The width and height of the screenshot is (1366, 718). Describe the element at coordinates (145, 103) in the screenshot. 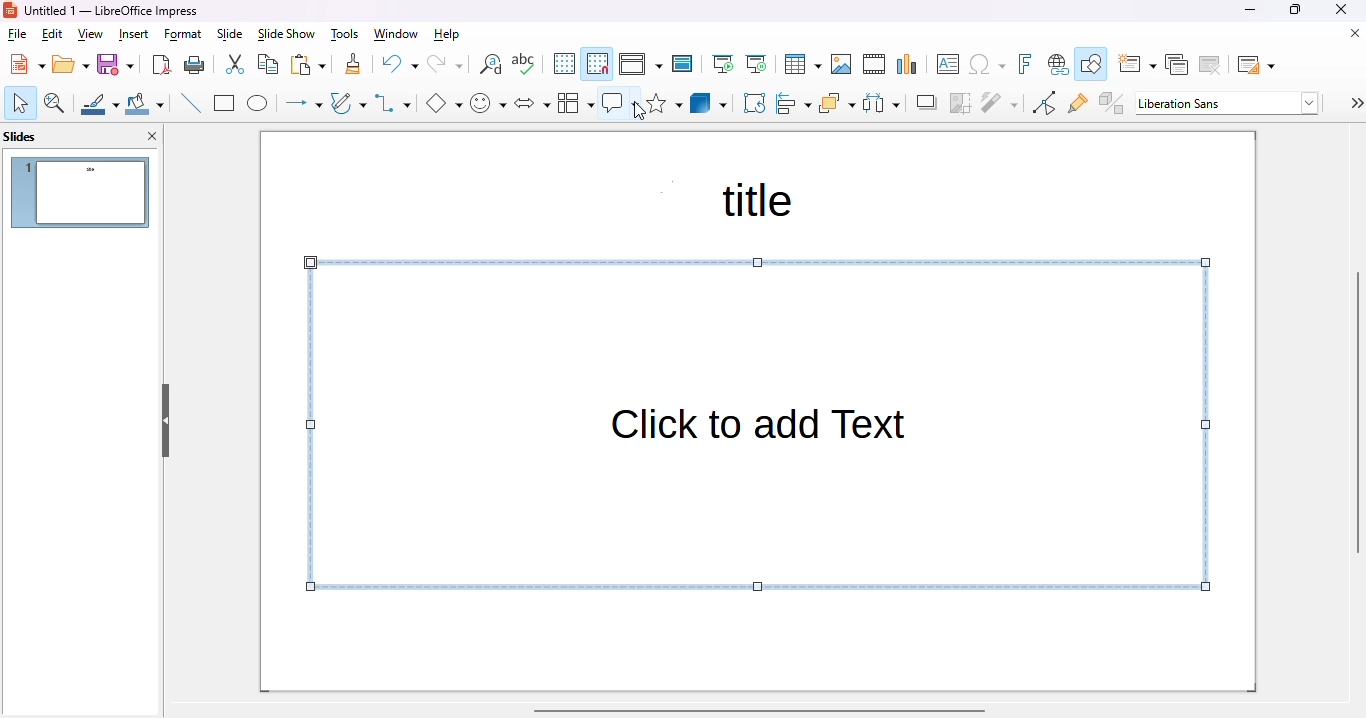

I see `fill color` at that location.